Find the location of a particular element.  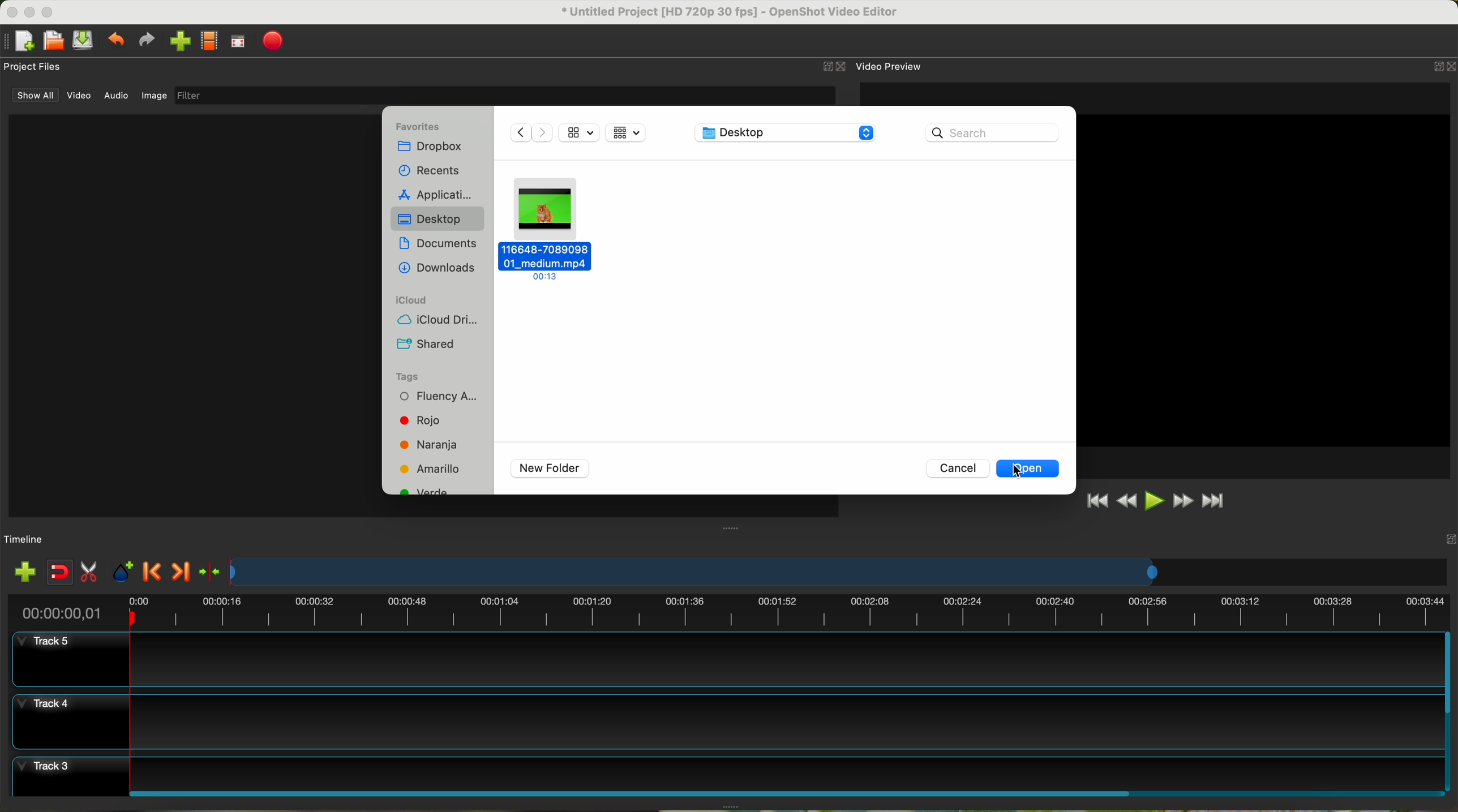

navigate arrows is located at coordinates (529, 132).